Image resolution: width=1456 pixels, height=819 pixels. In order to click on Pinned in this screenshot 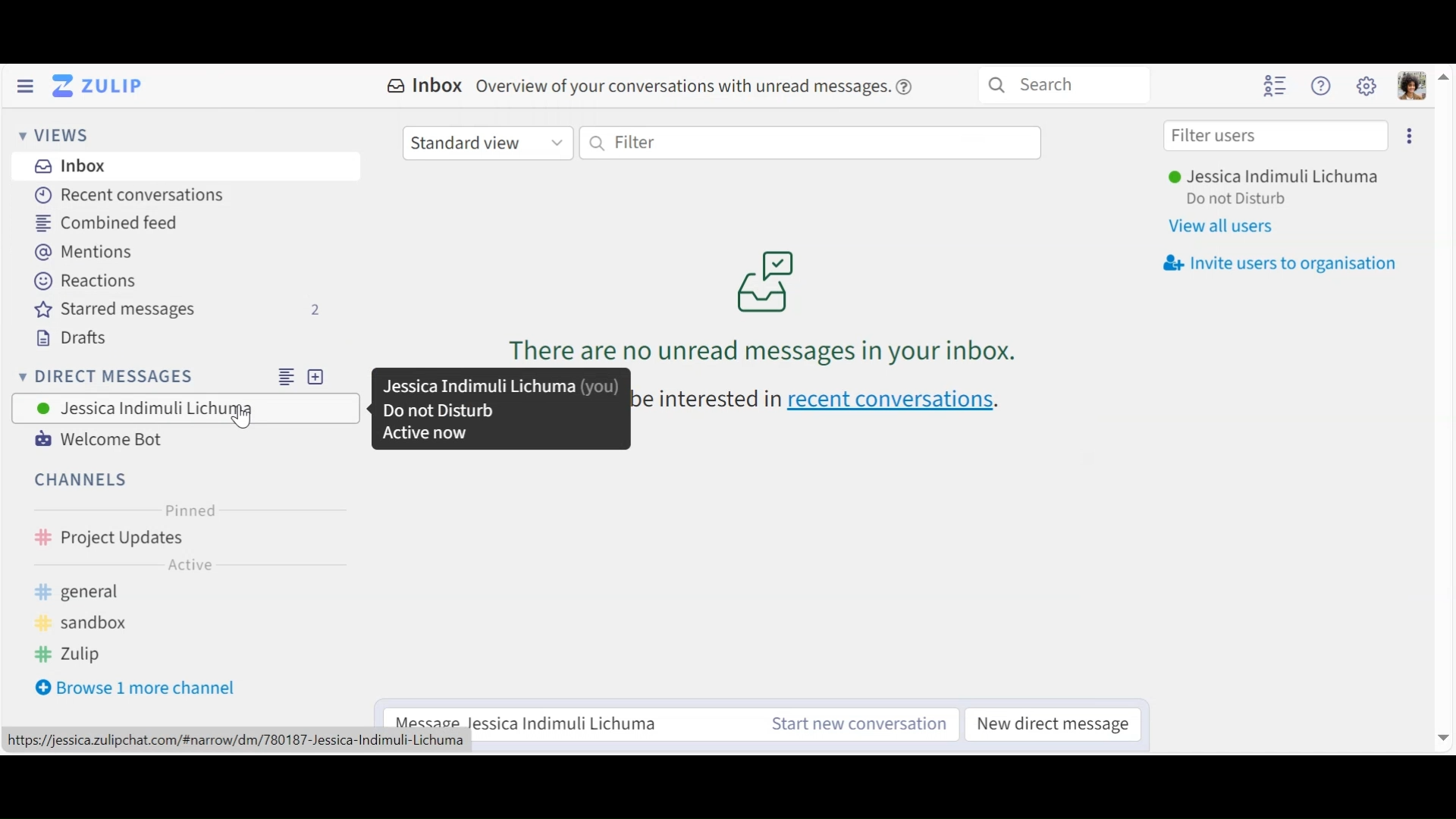, I will do `click(190, 510)`.